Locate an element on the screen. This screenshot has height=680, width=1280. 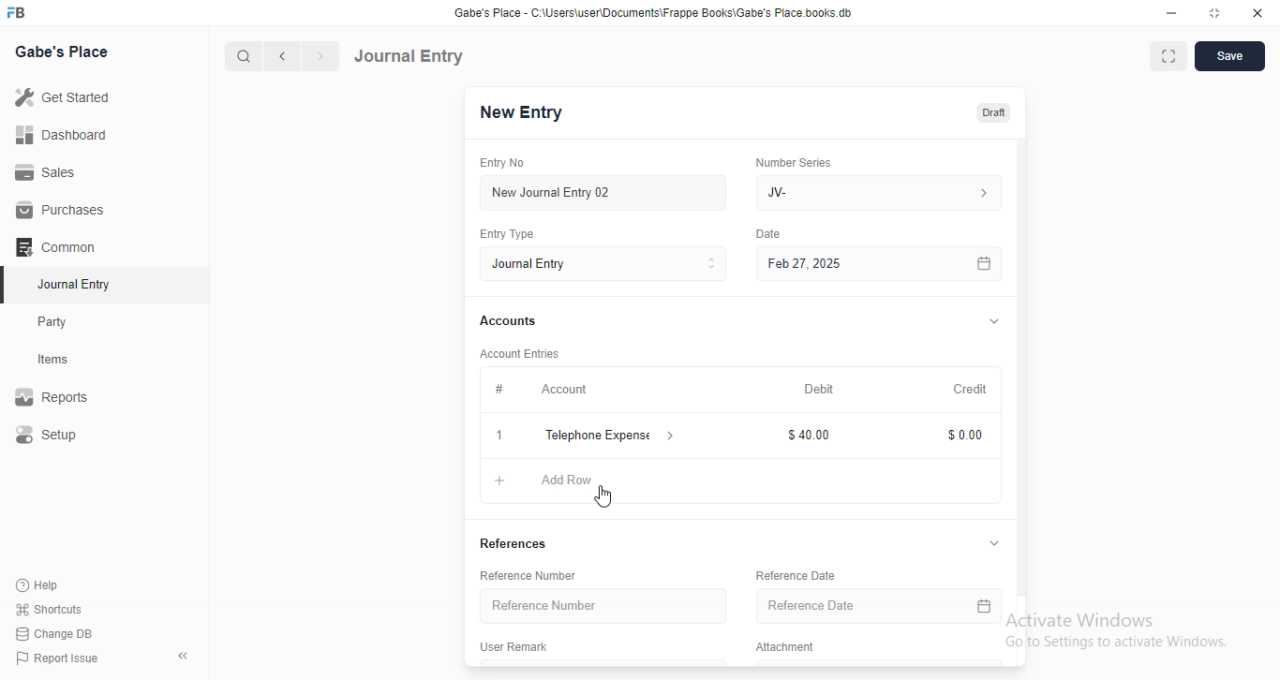
Credit is located at coordinates (971, 390).